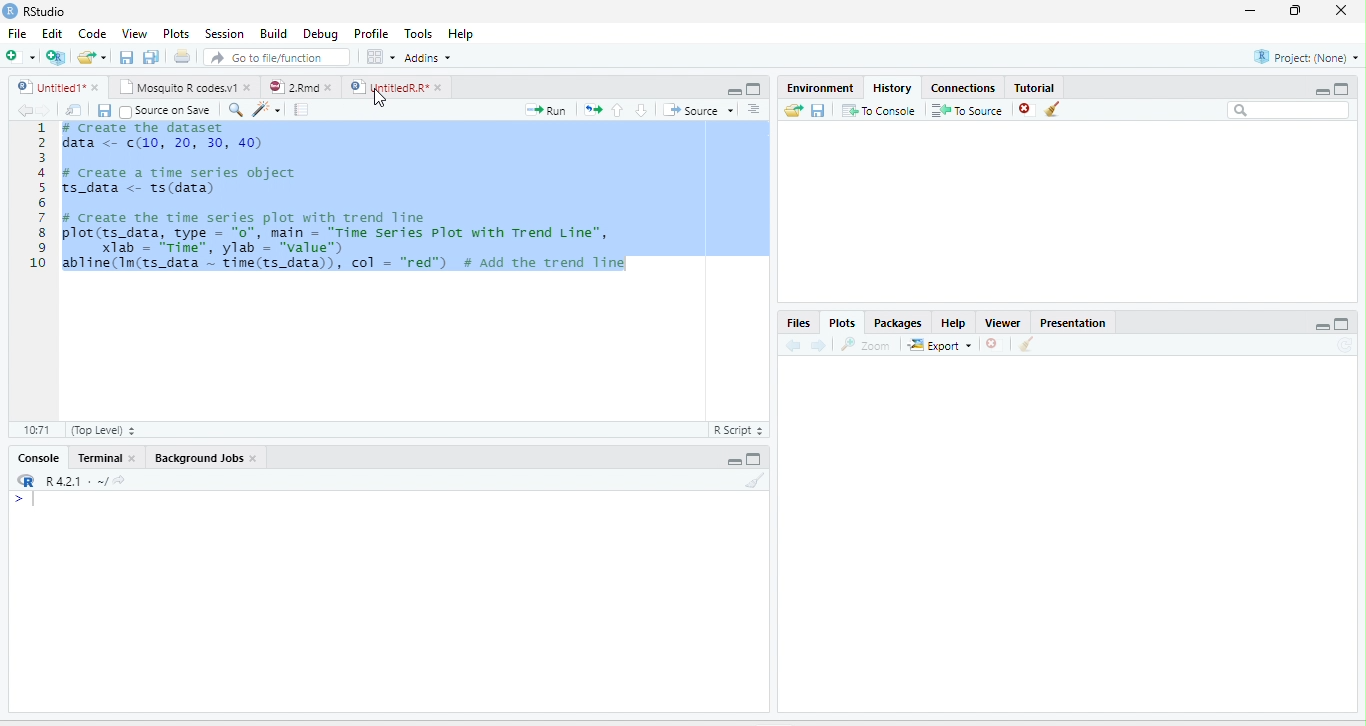 This screenshot has width=1366, height=726. What do you see at coordinates (822, 87) in the screenshot?
I see `Environment` at bounding box center [822, 87].